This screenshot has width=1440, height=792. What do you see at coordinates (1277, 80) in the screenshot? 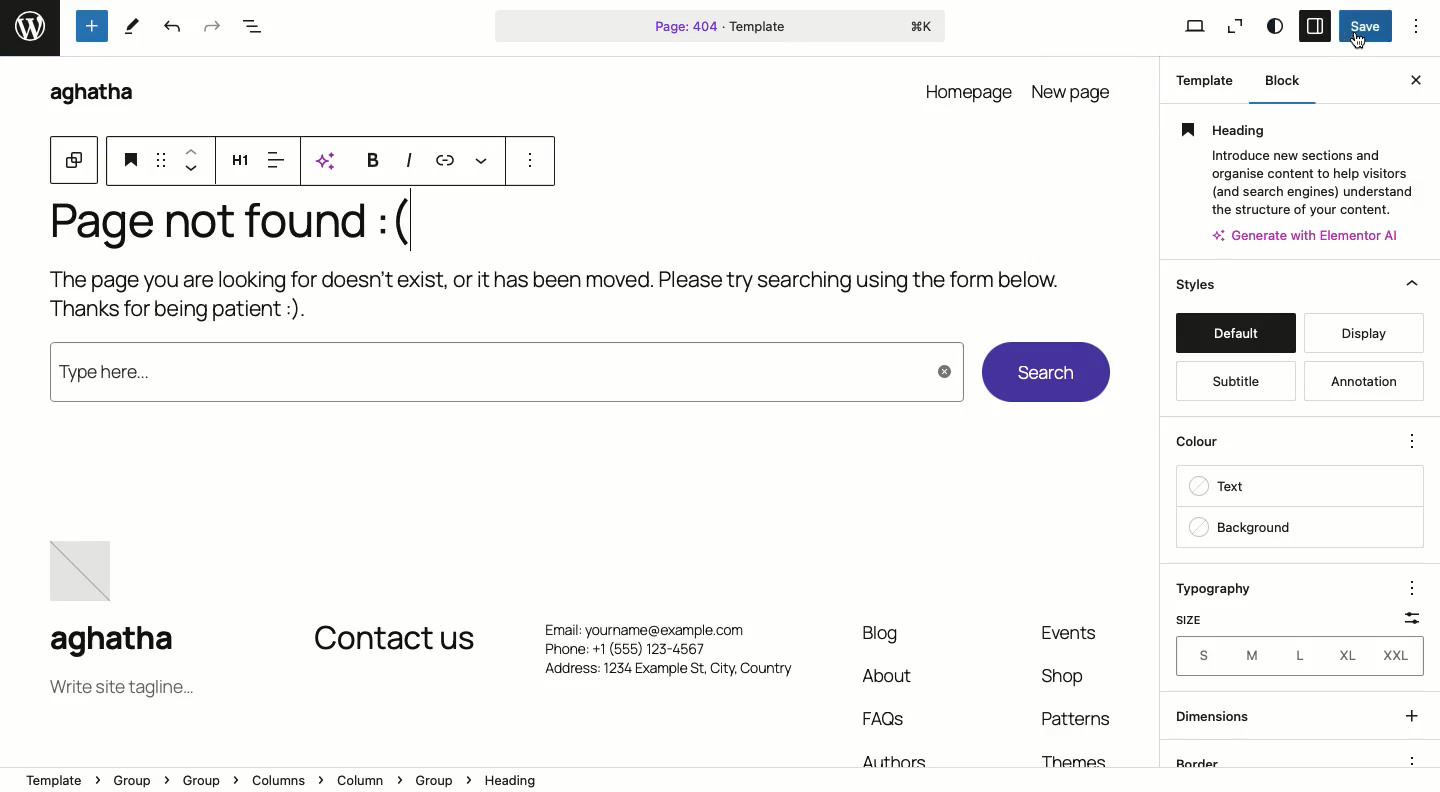
I see `Block` at bounding box center [1277, 80].